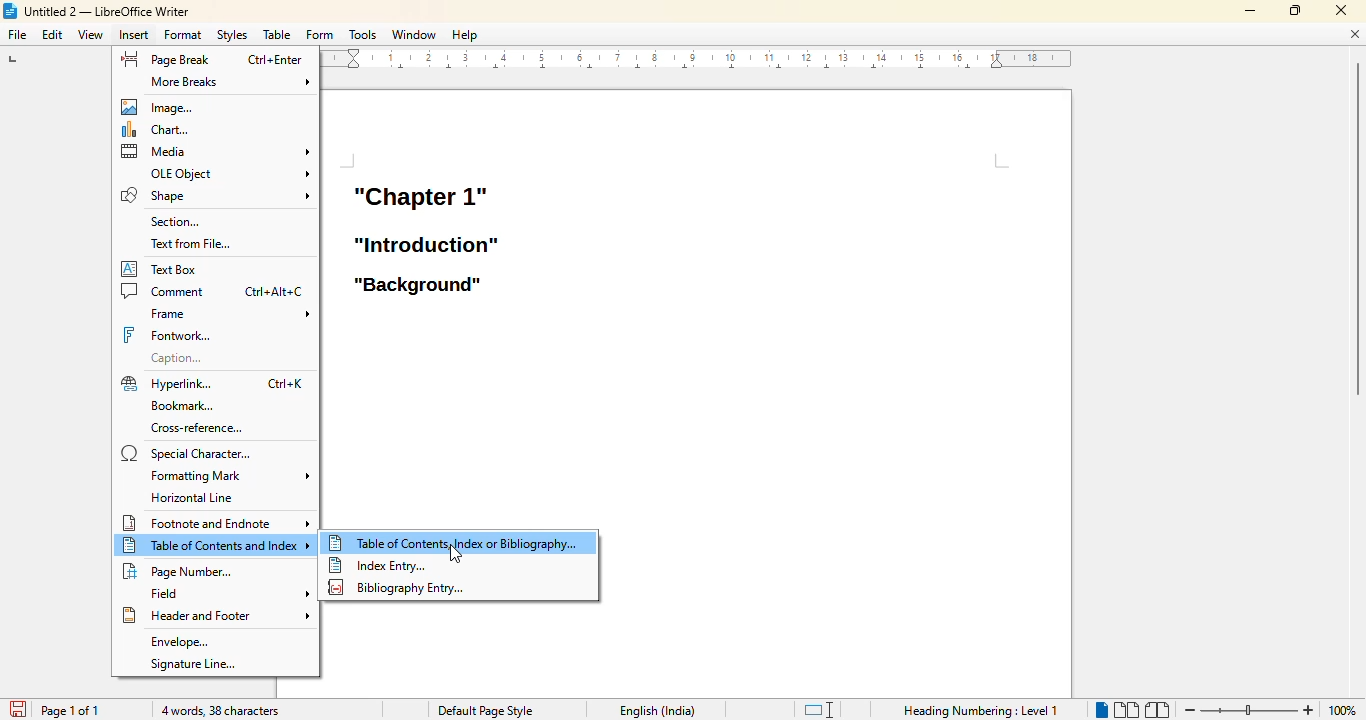 This screenshot has width=1366, height=720. I want to click on heading numbering: level 1, so click(981, 711).